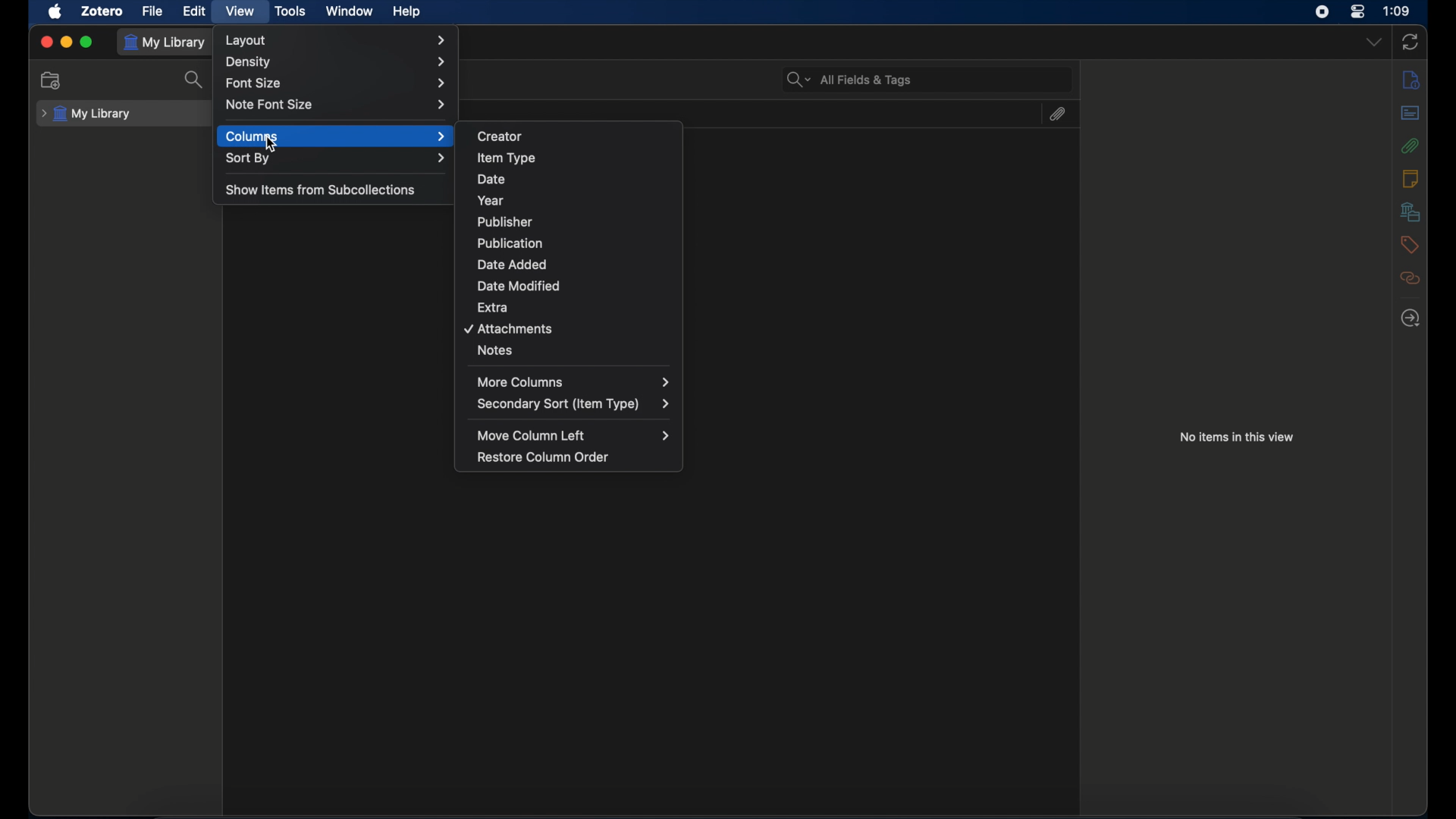  What do you see at coordinates (544, 458) in the screenshot?
I see `restore column order` at bounding box center [544, 458].